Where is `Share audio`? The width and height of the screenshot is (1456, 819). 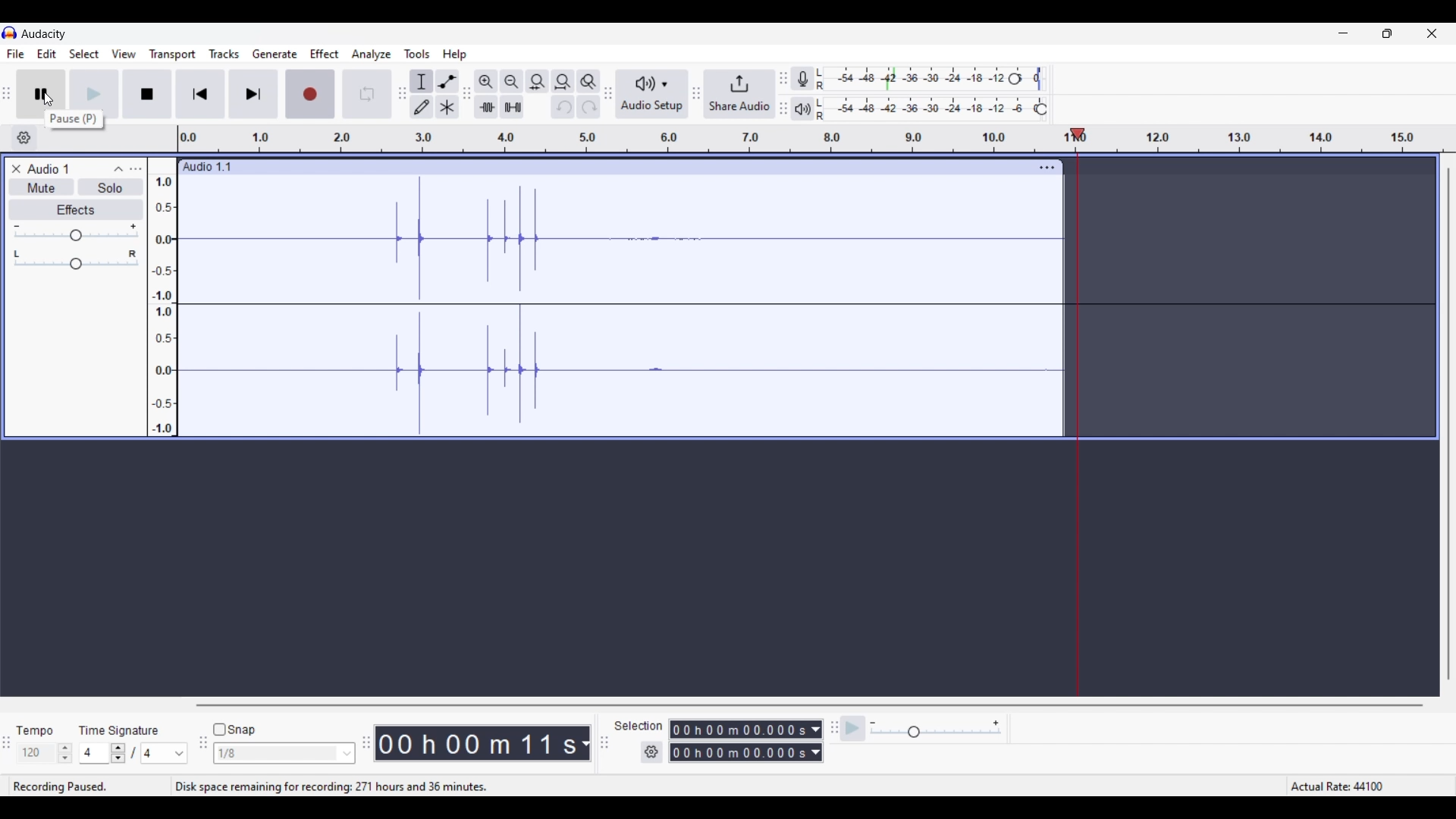 Share audio is located at coordinates (739, 94).